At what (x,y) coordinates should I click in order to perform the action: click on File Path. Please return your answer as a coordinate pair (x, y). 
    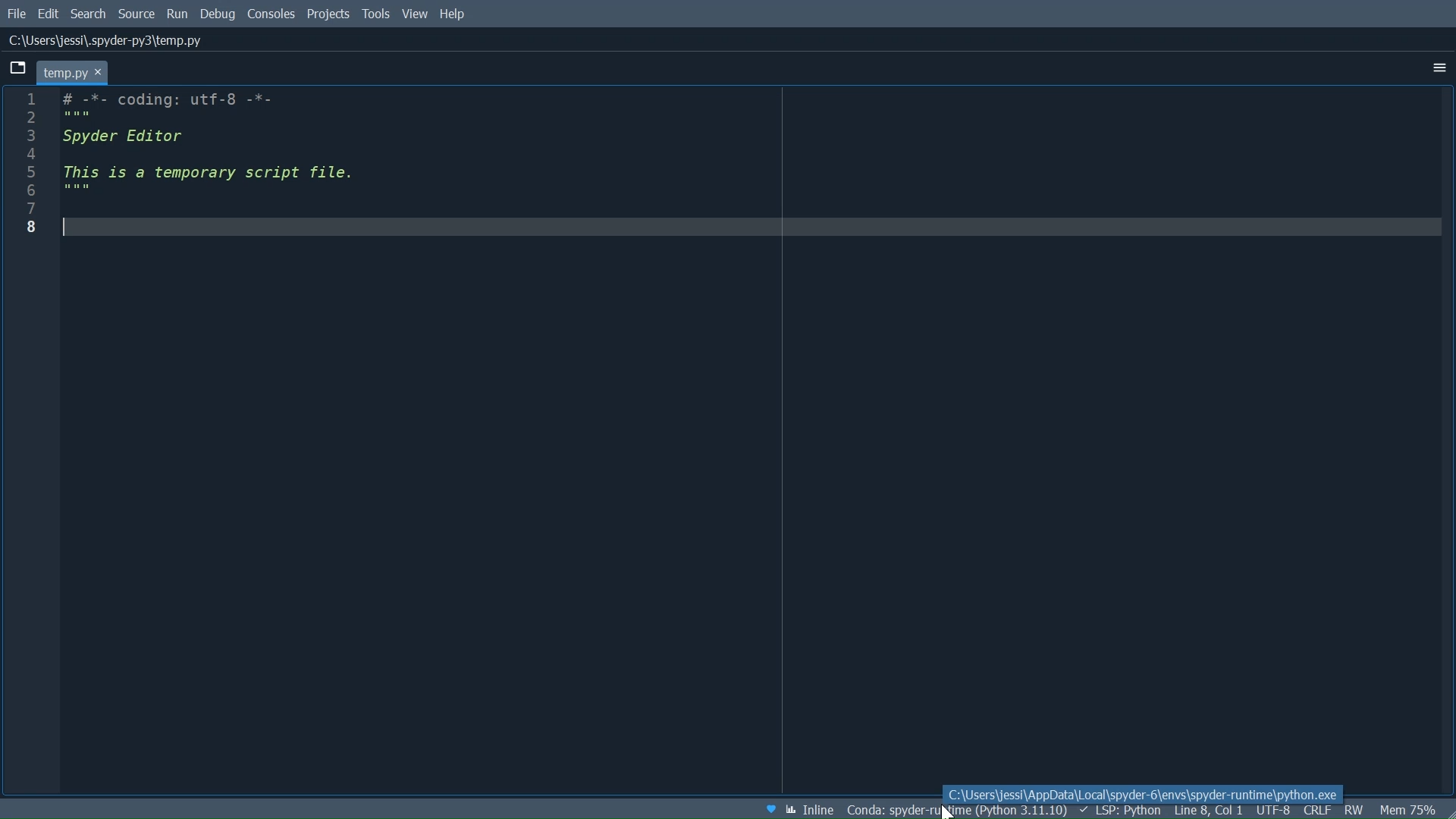
    Looking at the image, I should click on (108, 39).